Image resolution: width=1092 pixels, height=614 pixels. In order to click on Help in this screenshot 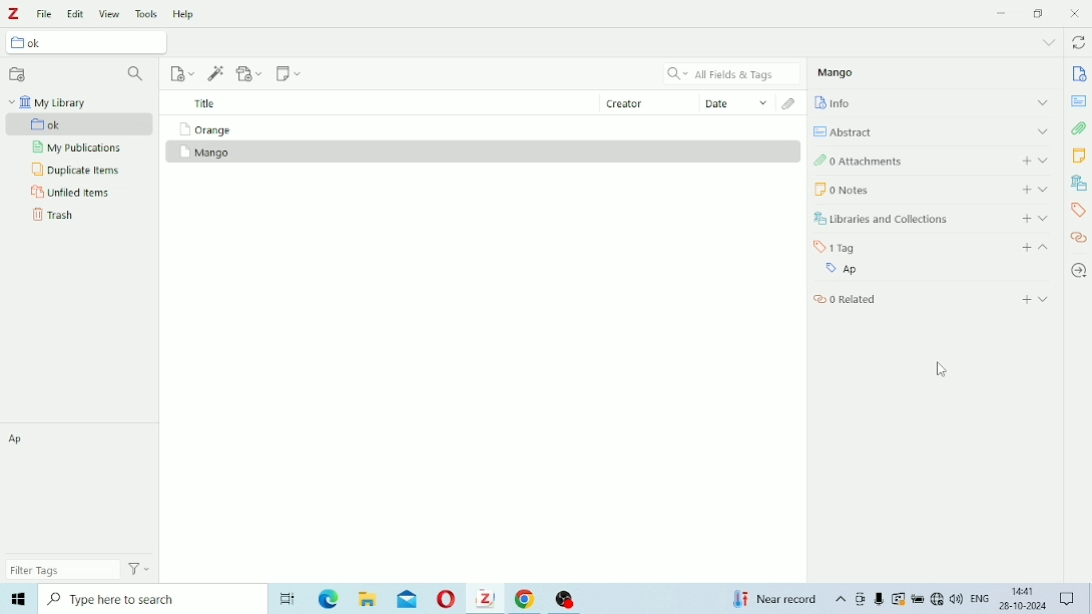, I will do `click(184, 14)`.